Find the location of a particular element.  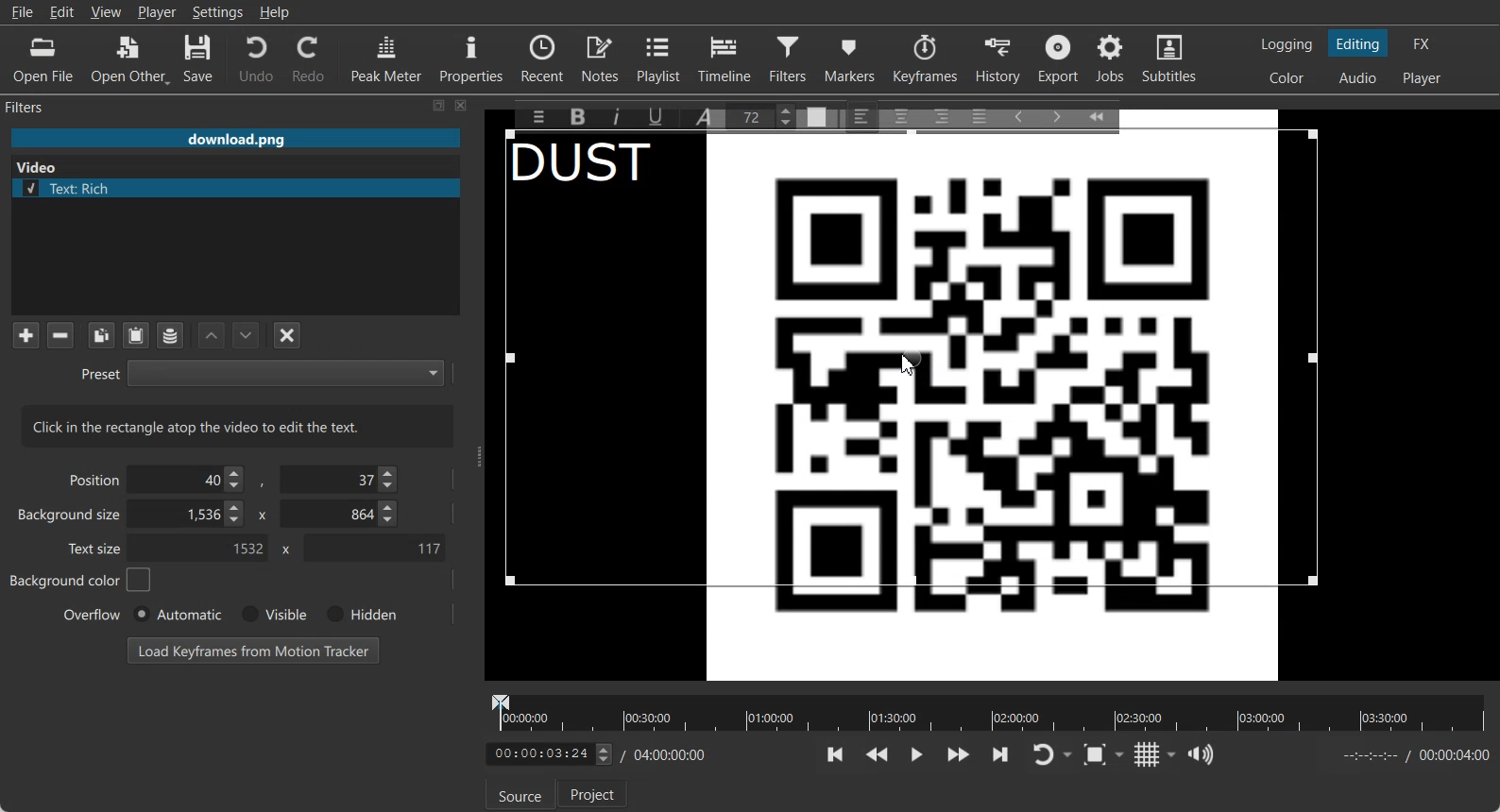

Undo is located at coordinates (256, 58).